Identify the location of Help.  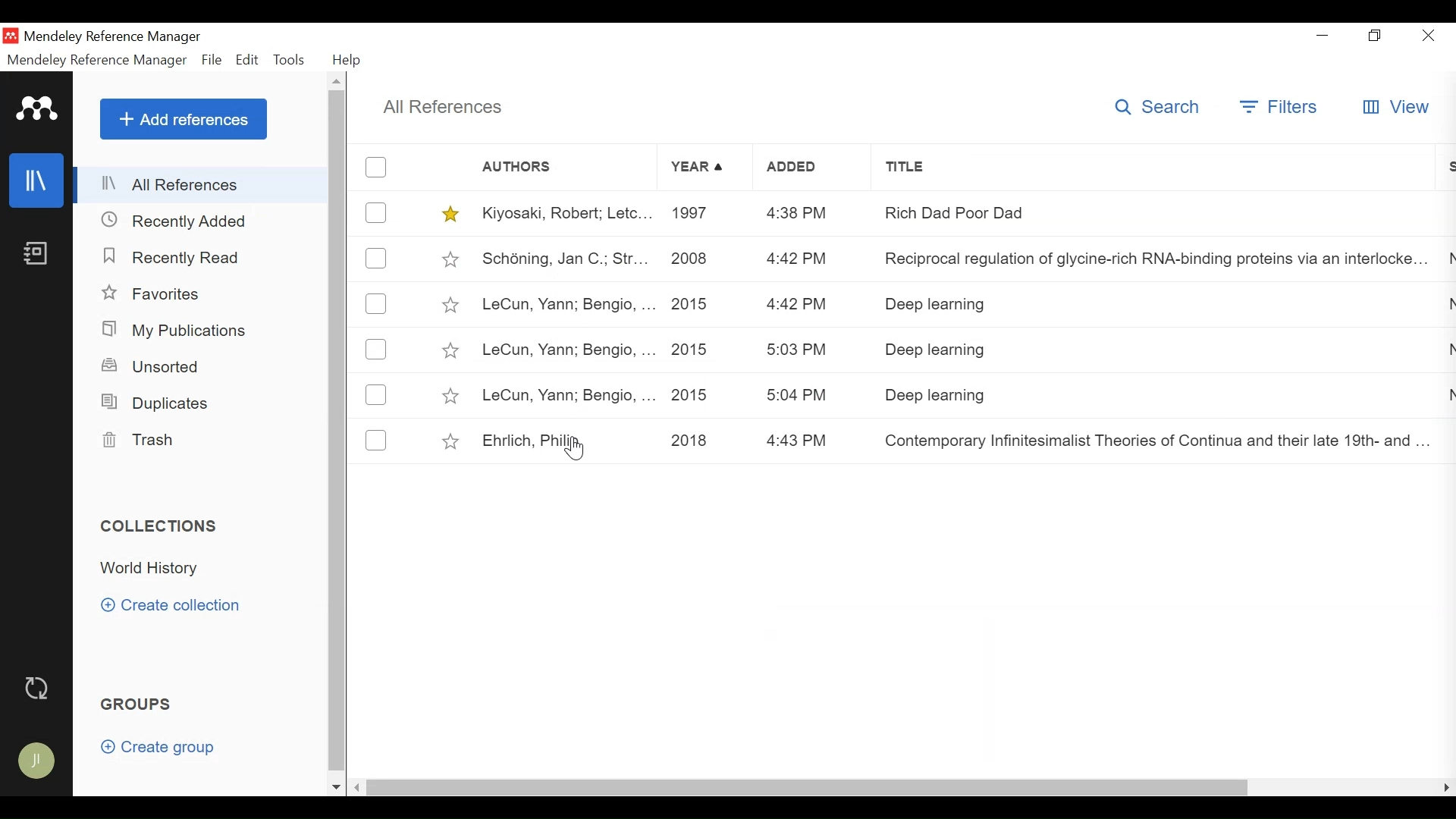
(347, 60).